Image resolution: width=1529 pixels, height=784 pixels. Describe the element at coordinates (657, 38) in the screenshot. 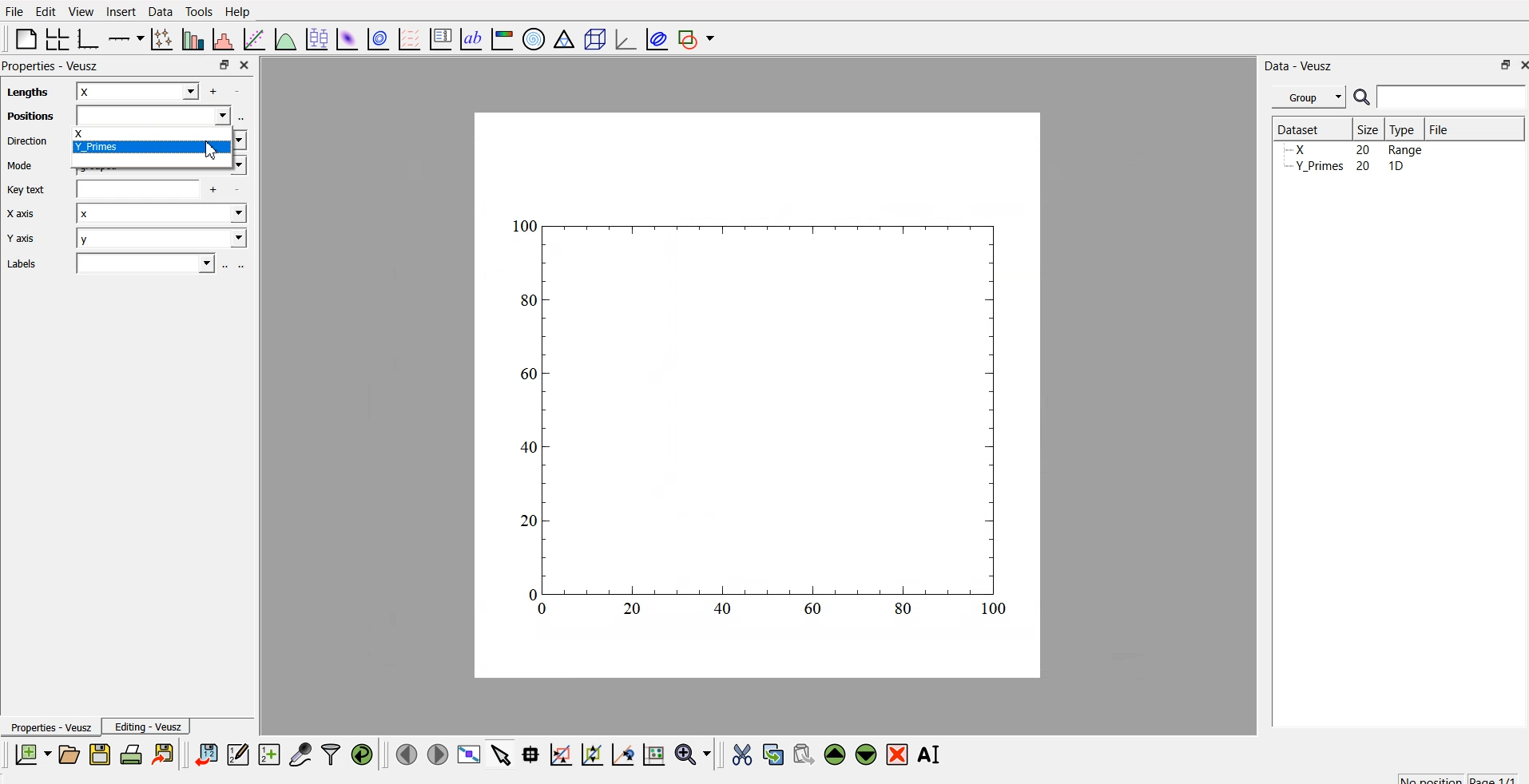

I see `plot covariance ellipses` at that location.